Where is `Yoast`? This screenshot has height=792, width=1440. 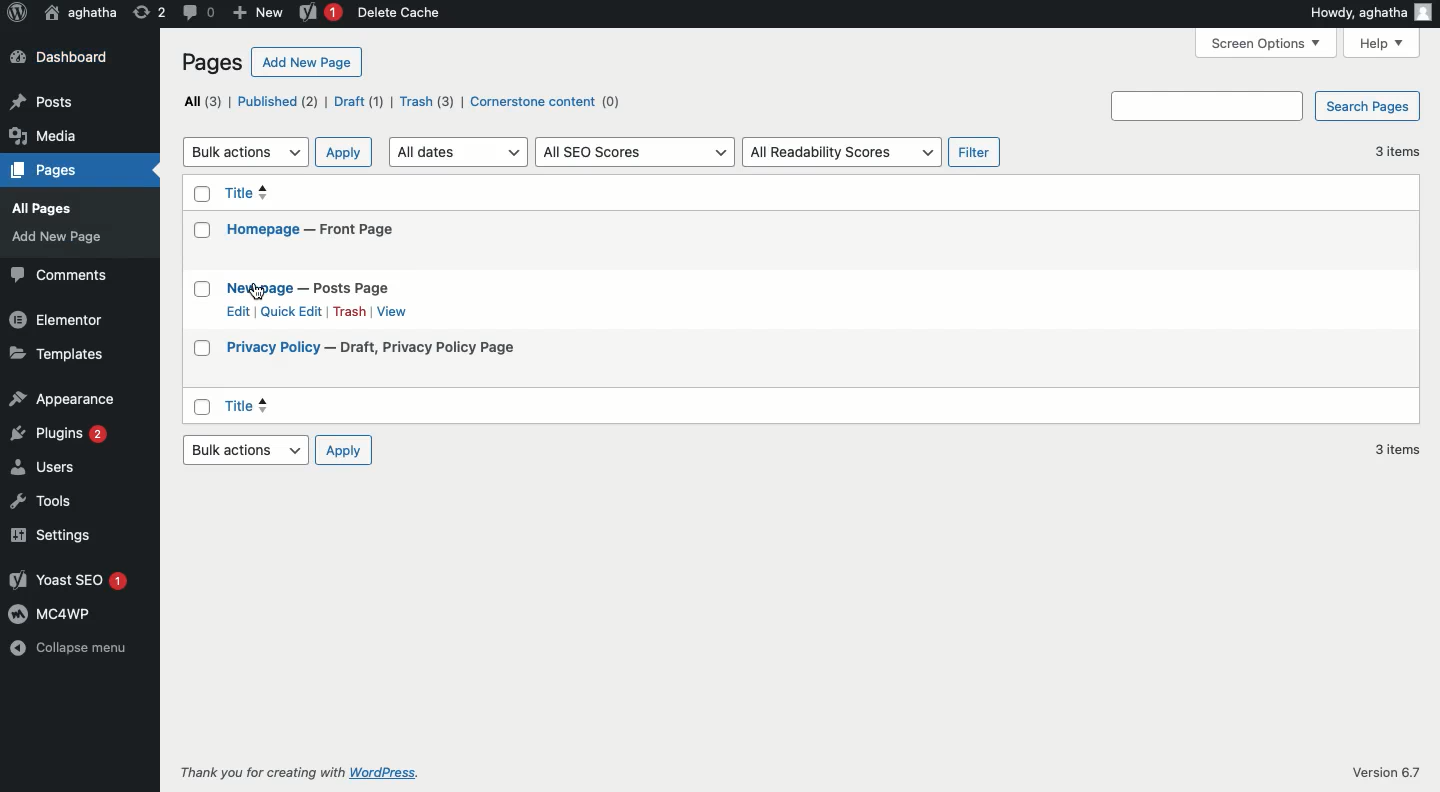
Yoast is located at coordinates (68, 581).